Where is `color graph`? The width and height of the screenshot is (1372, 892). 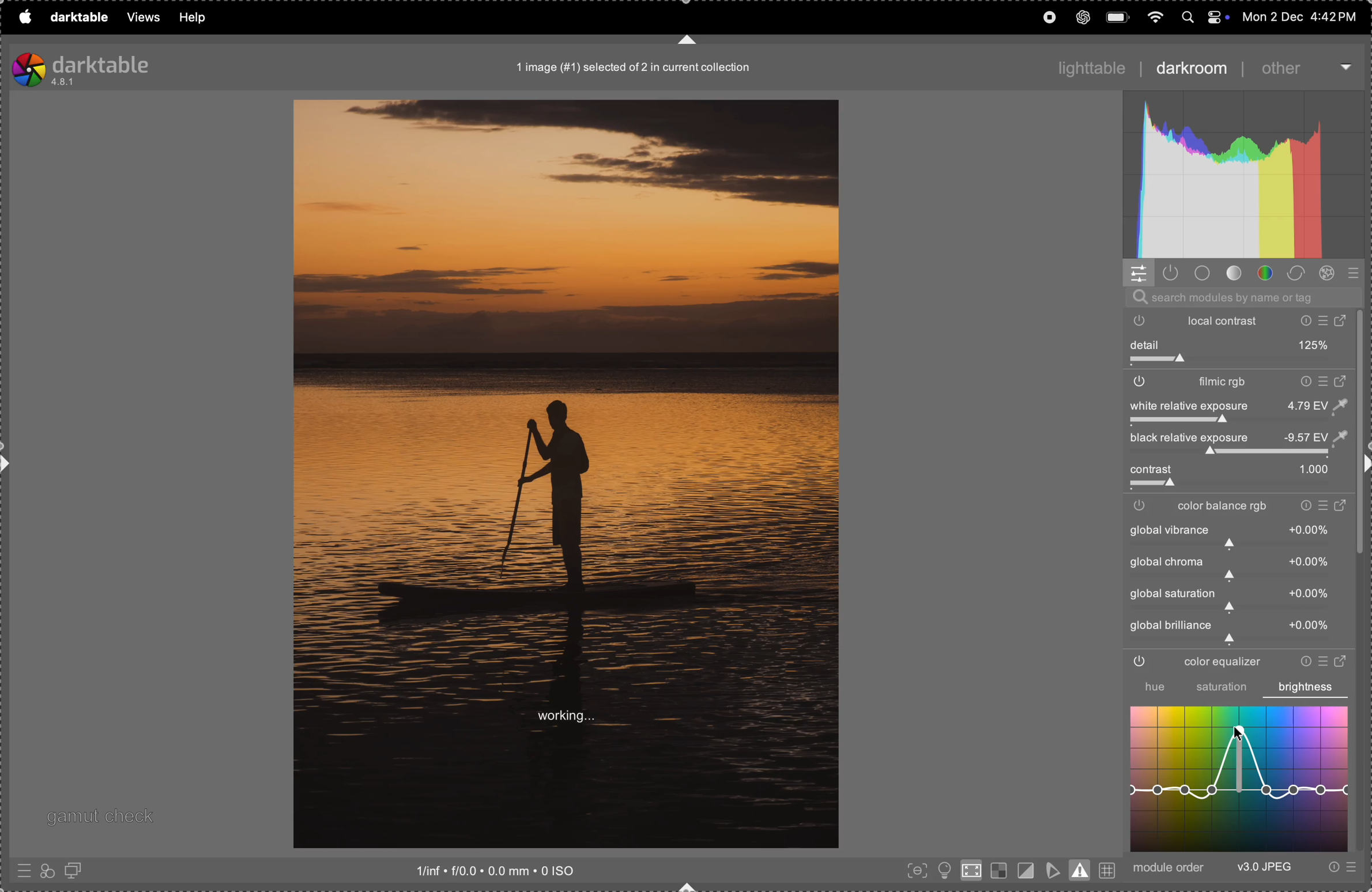 color graph is located at coordinates (1238, 778).